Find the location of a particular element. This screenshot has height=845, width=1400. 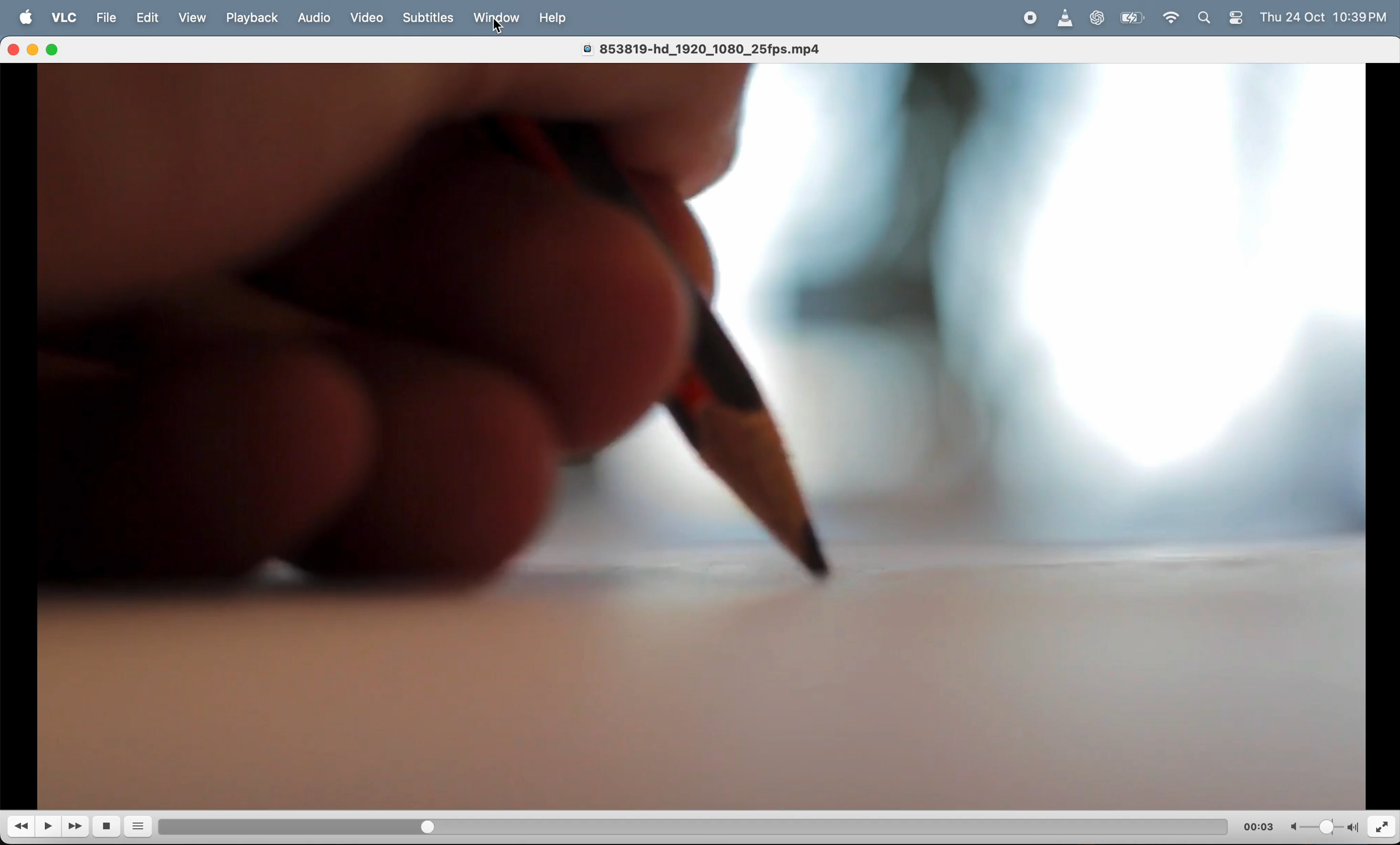

duration is located at coordinates (678, 825).